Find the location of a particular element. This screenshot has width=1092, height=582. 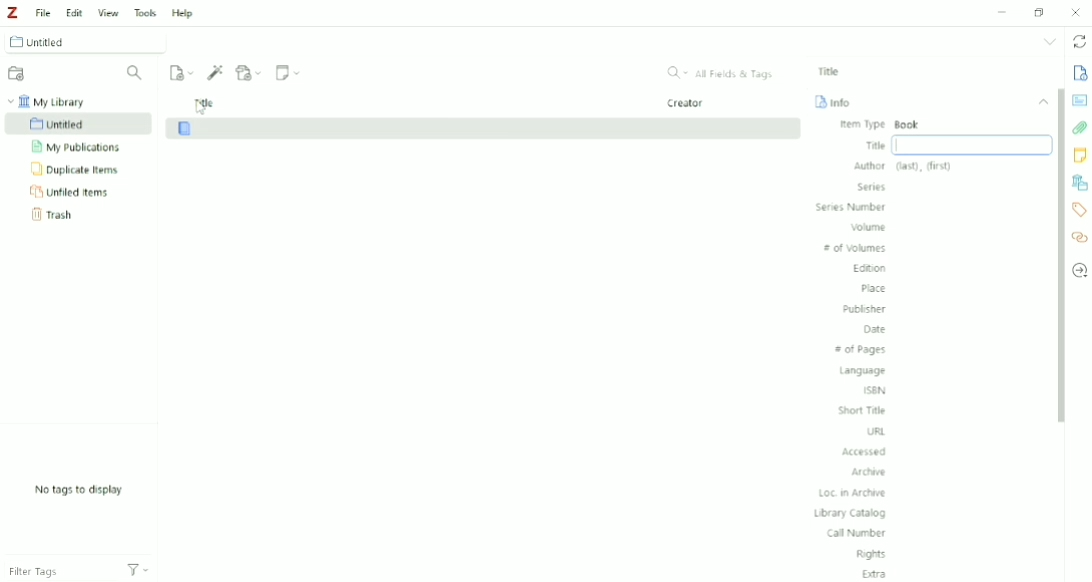

Edit is located at coordinates (72, 10).